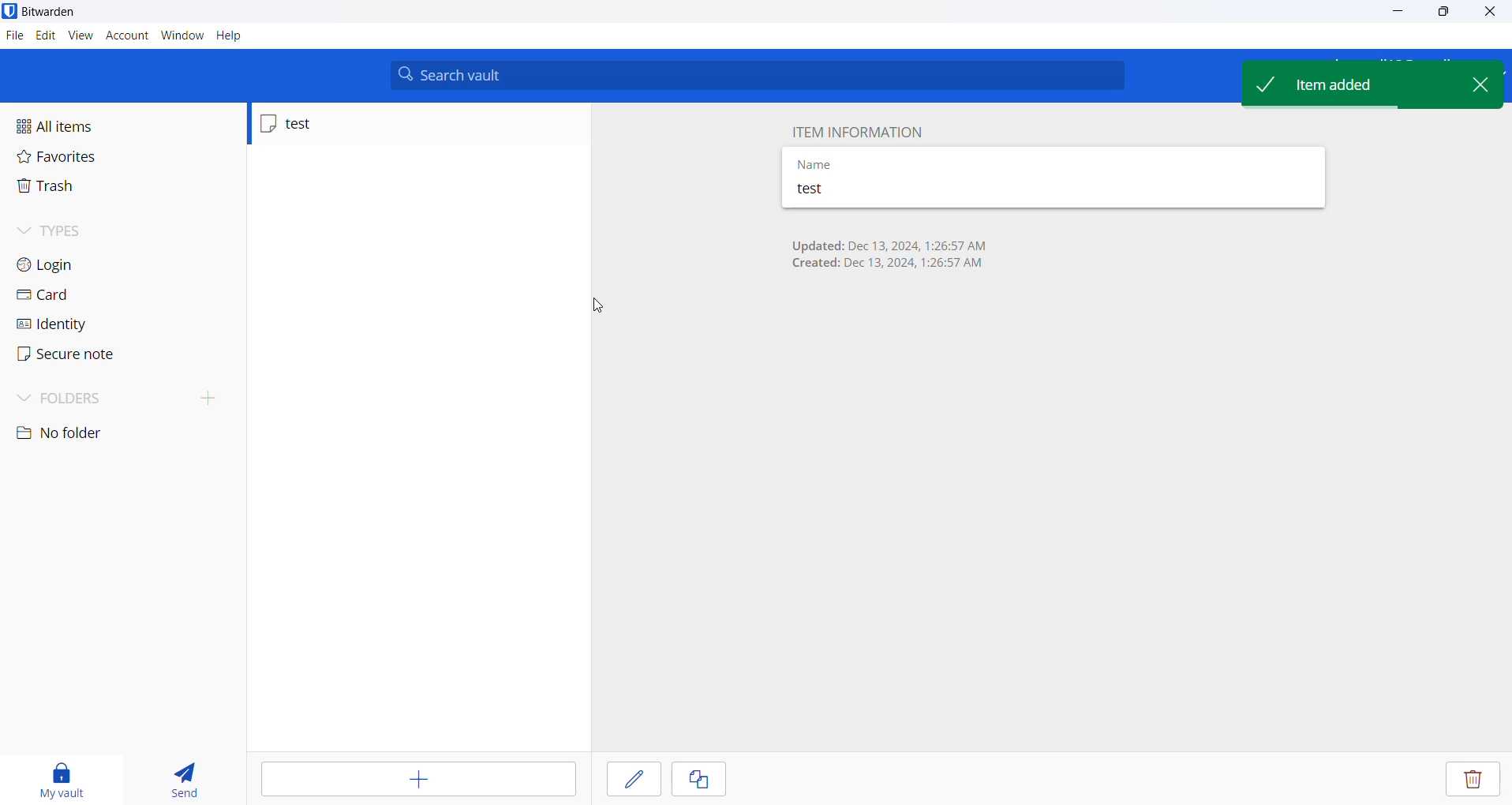 The width and height of the screenshot is (1512, 805). What do you see at coordinates (92, 188) in the screenshot?
I see `trash` at bounding box center [92, 188].